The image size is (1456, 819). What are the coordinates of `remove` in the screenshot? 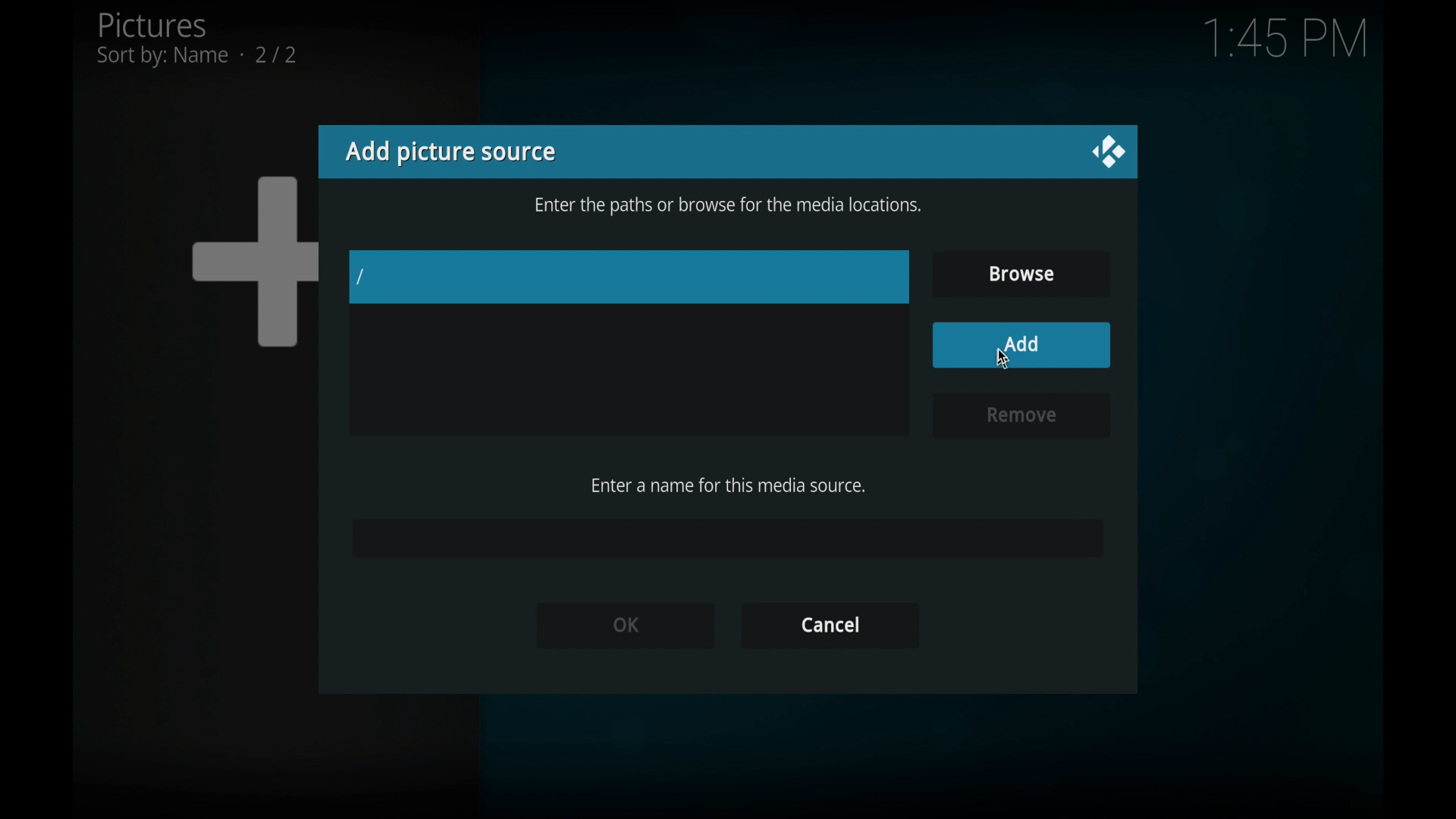 It's located at (1018, 416).